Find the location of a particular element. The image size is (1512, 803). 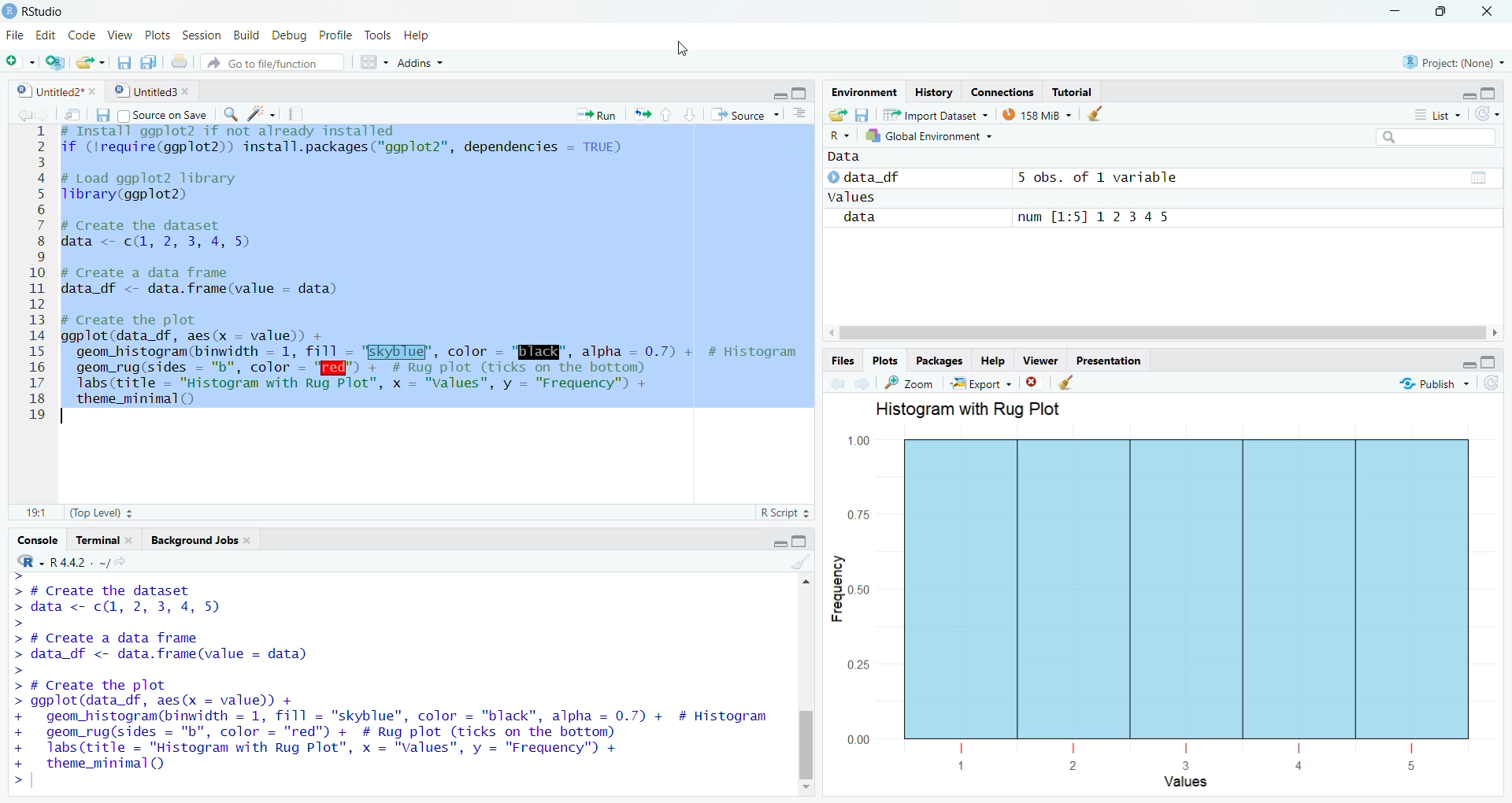

Scroll bar is located at coordinates (810, 683).